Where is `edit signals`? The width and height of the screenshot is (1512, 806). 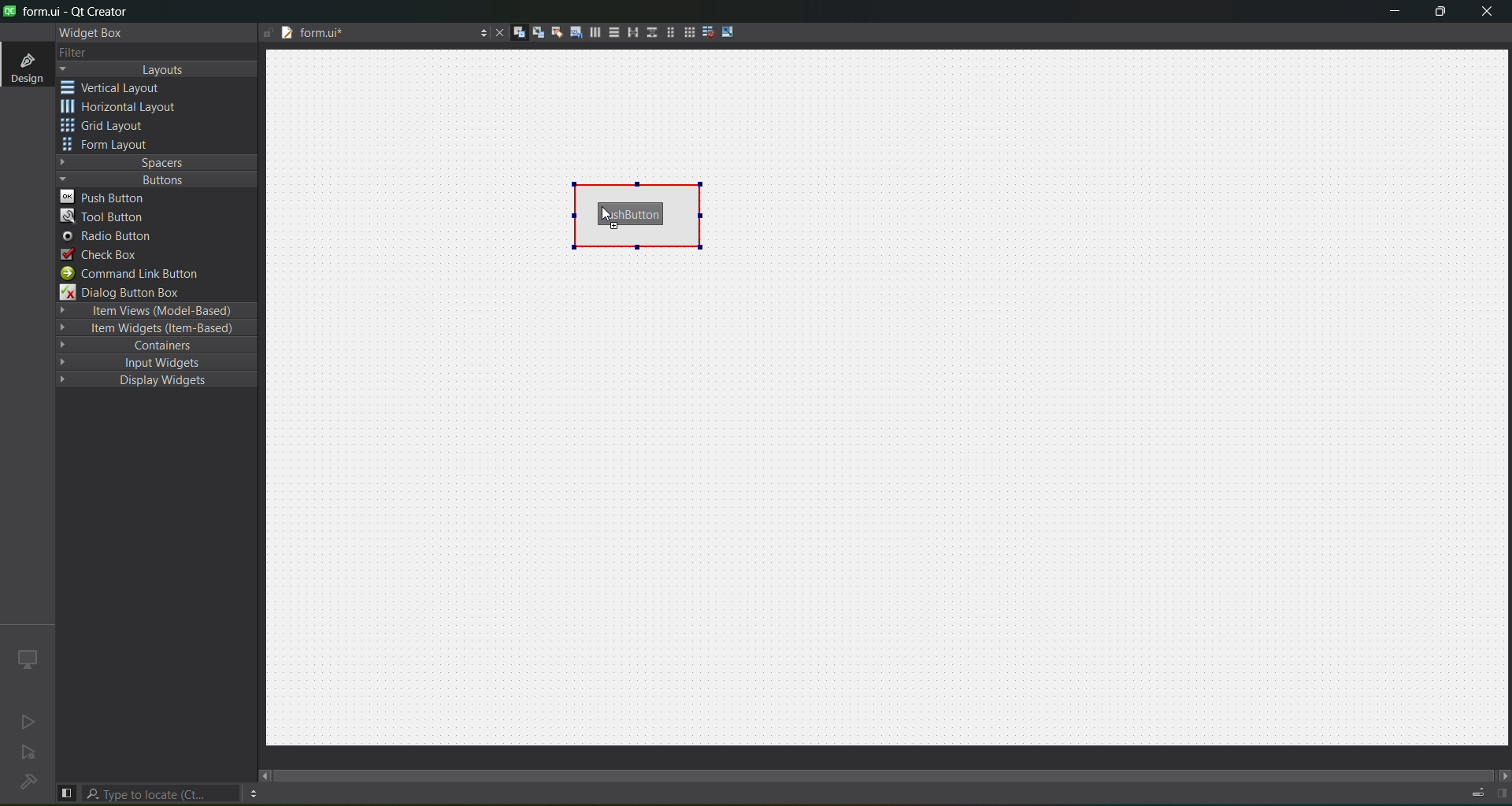
edit signals is located at coordinates (538, 35).